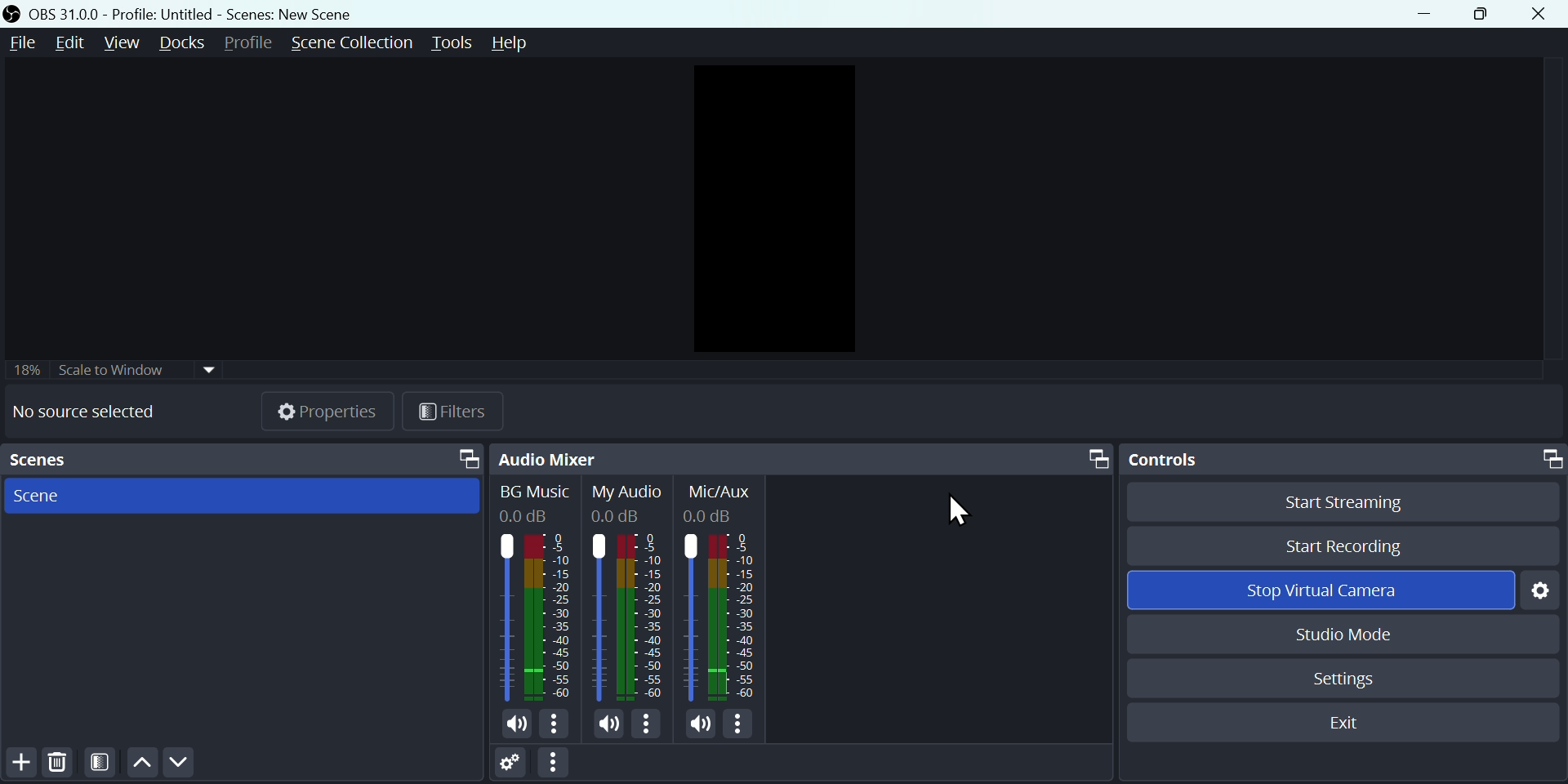 Image resolution: width=1568 pixels, height=784 pixels. Describe the element at coordinates (46, 497) in the screenshot. I see `Scene` at that location.